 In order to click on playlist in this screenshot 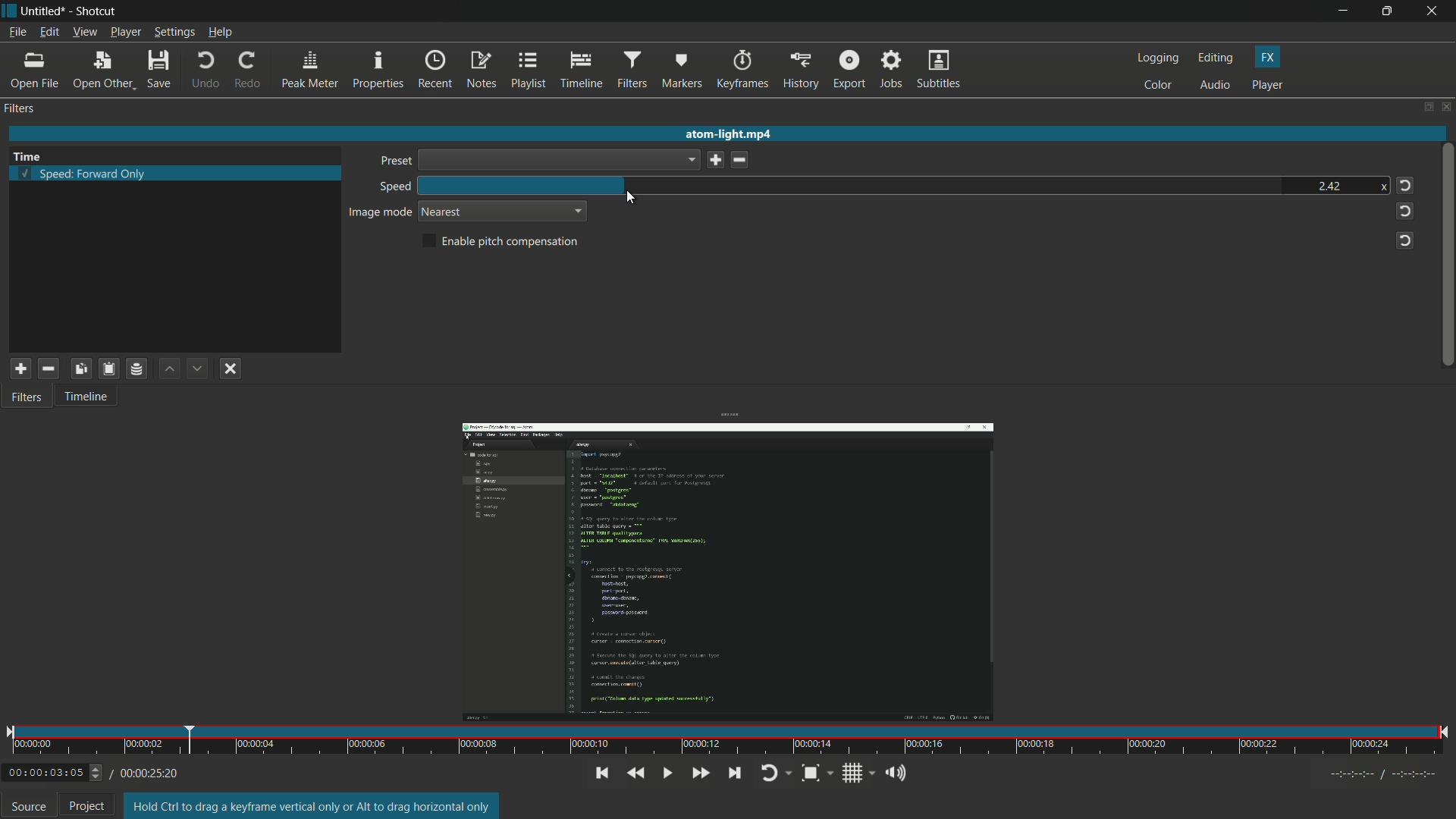, I will do `click(530, 71)`.